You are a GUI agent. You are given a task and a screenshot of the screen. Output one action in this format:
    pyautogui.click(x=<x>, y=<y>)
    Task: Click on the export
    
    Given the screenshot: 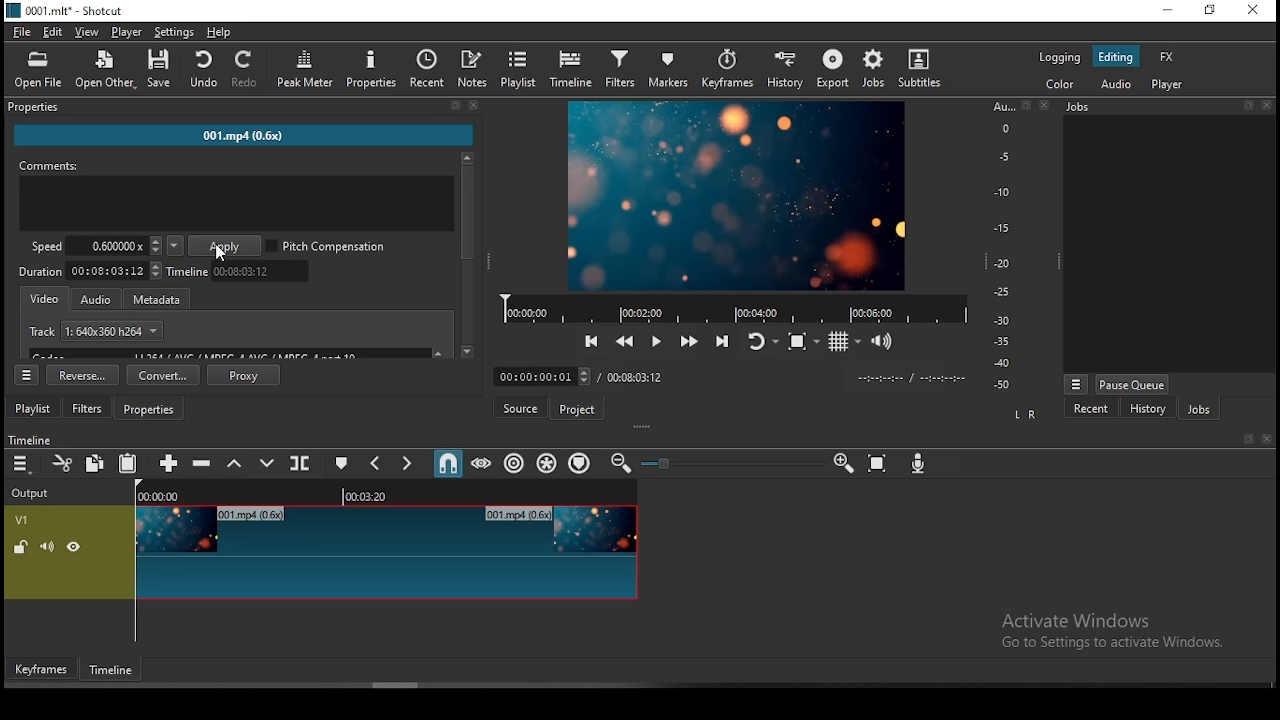 What is the action you would take?
    pyautogui.click(x=829, y=69)
    